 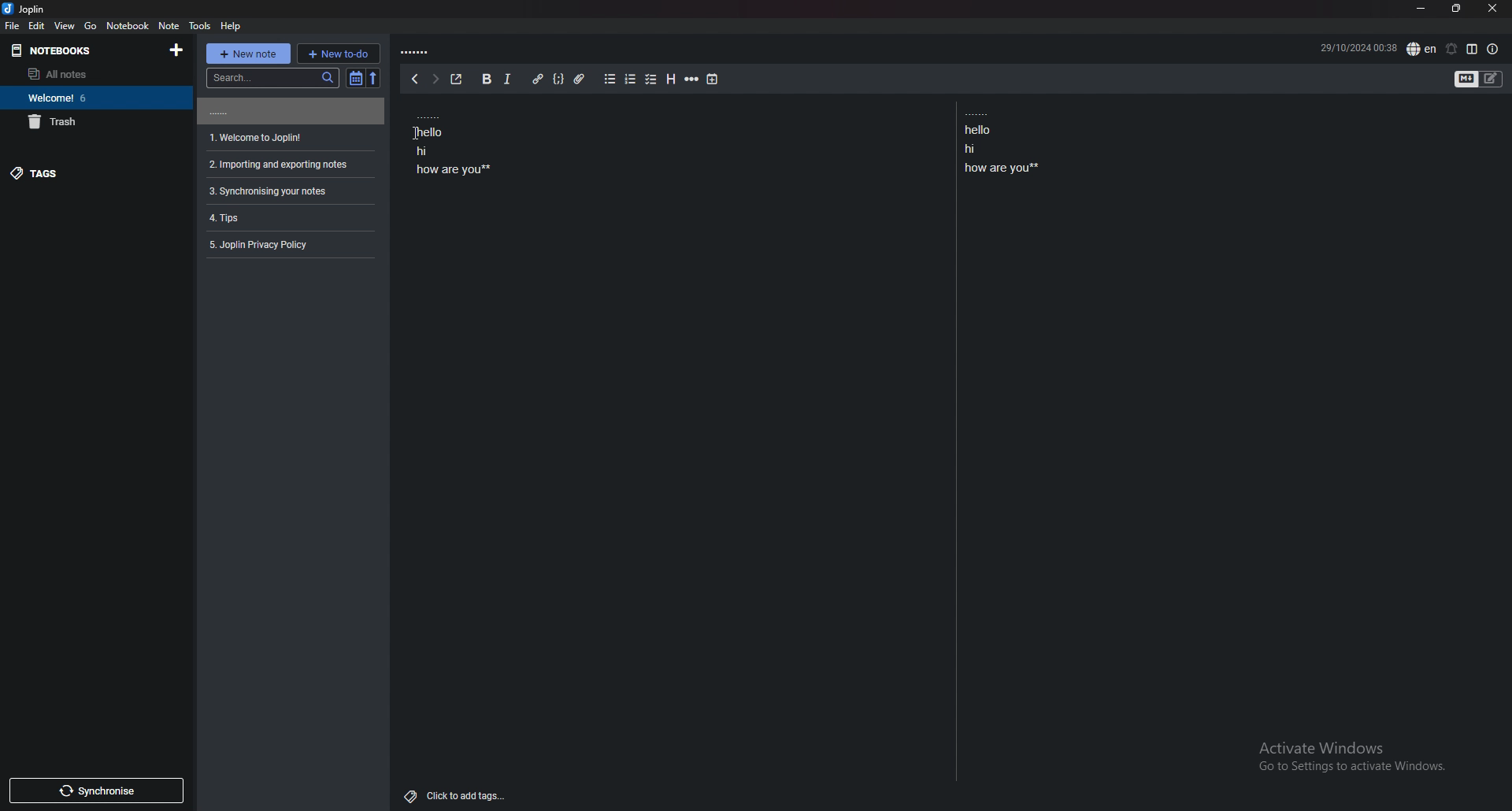 What do you see at coordinates (38, 25) in the screenshot?
I see `edit` at bounding box center [38, 25].